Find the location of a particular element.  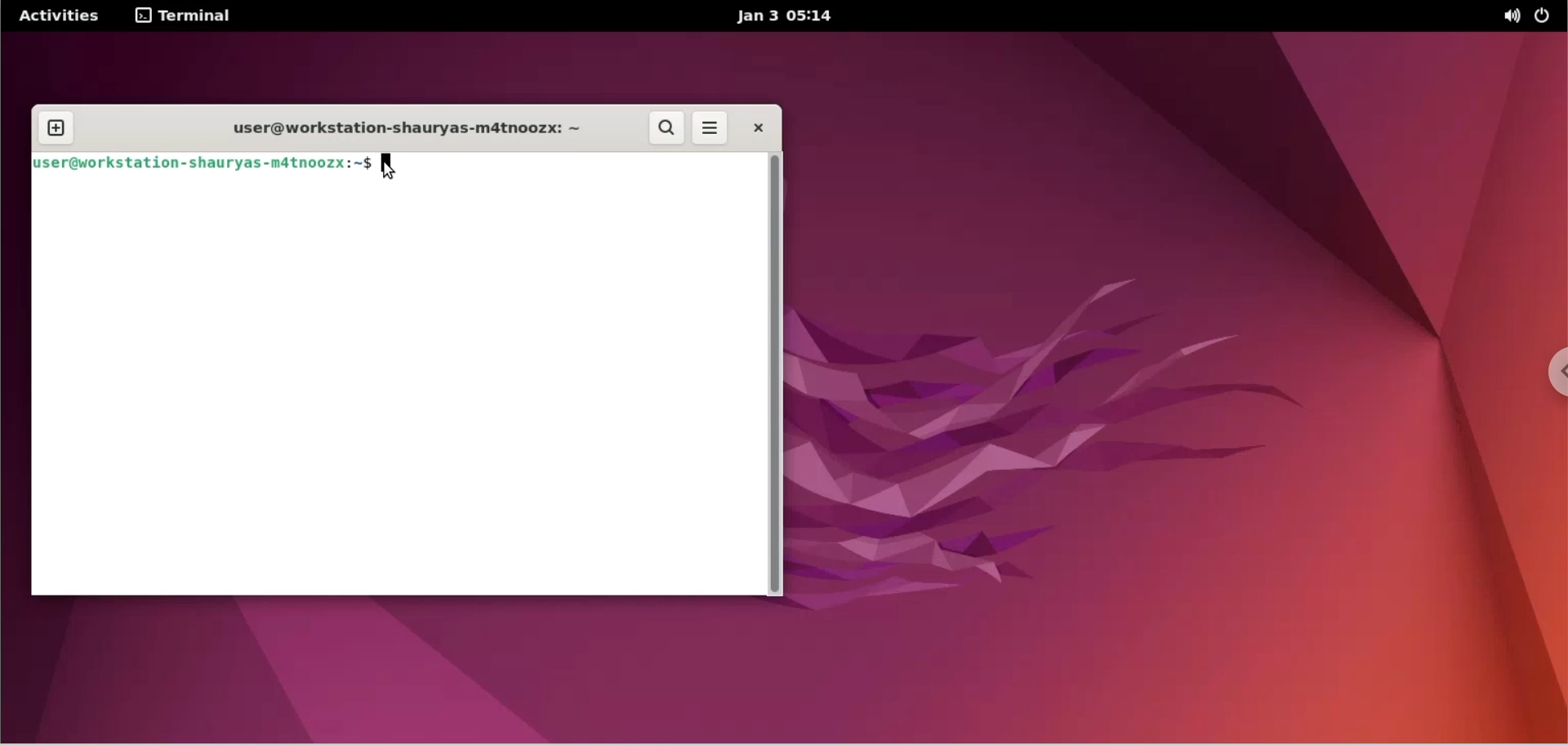

cursor is located at coordinates (395, 167).